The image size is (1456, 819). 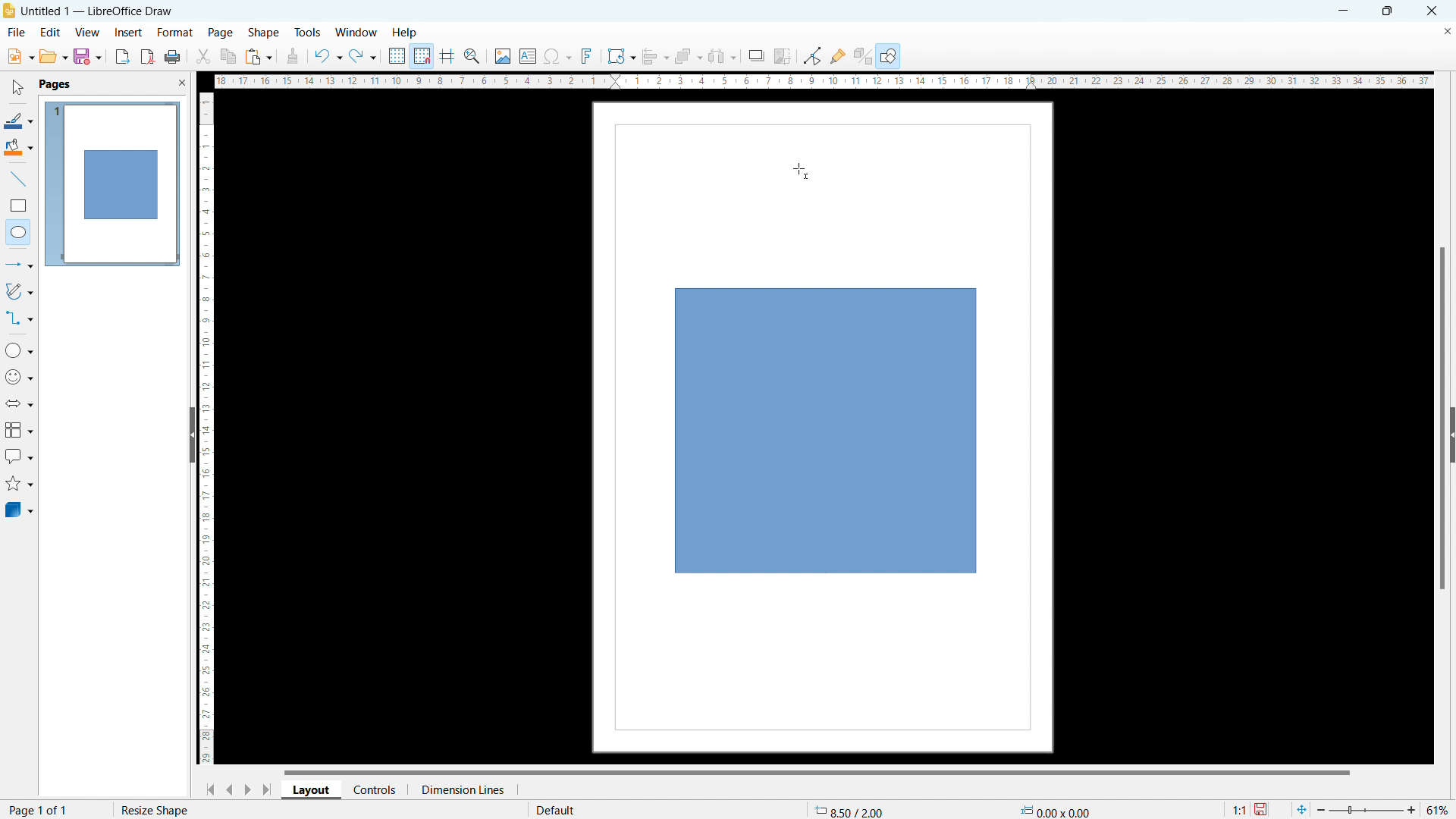 What do you see at coordinates (19, 290) in the screenshot?
I see `curves and polygonas` at bounding box center [19, 290].